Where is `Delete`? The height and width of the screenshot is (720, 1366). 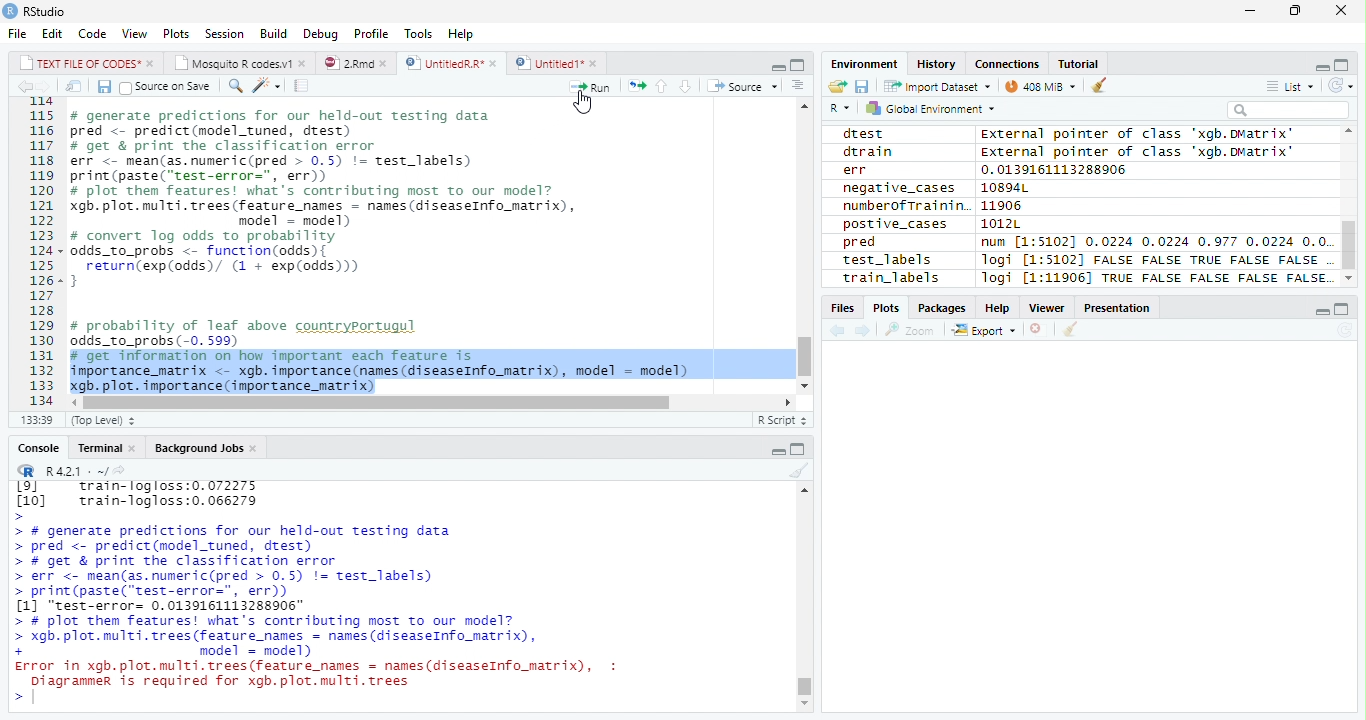 Delete is located at coordinates (1037, 329).